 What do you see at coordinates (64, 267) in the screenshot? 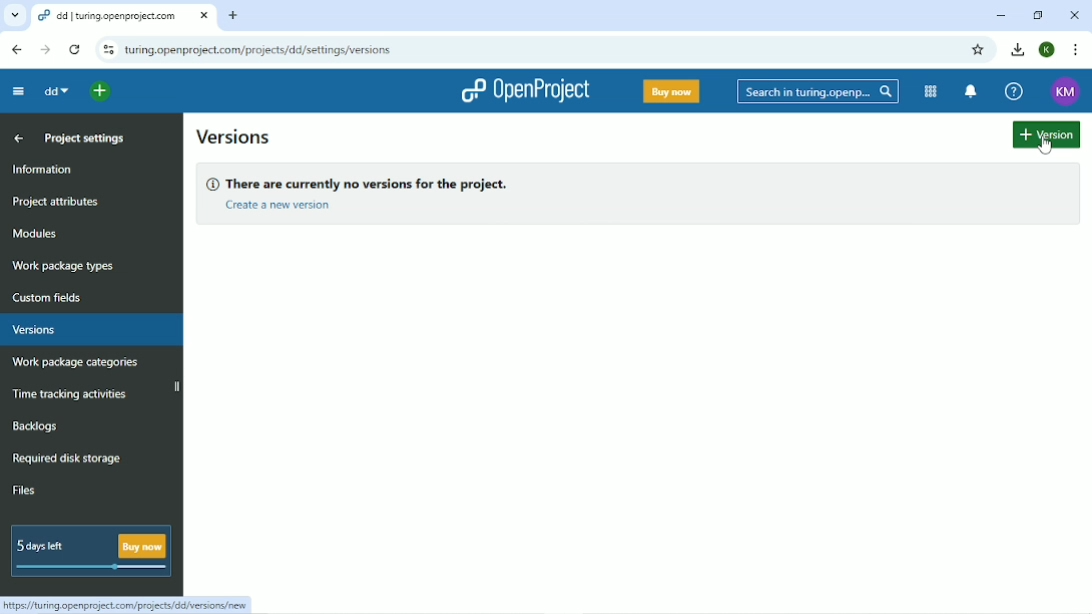
I see `Work package types` at bounding box center [64, 267].